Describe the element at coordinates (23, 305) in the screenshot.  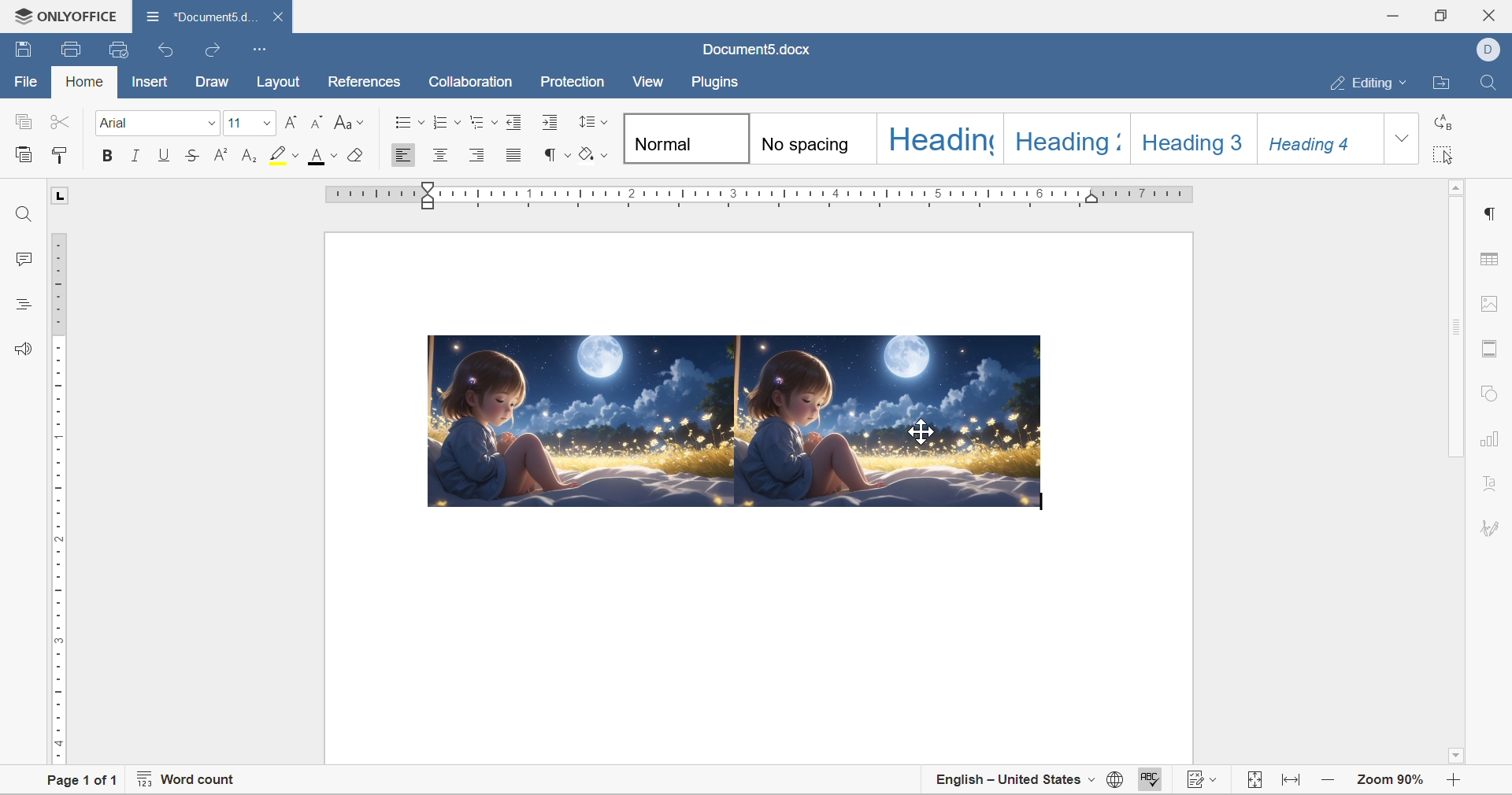
I see `headings` at that location.